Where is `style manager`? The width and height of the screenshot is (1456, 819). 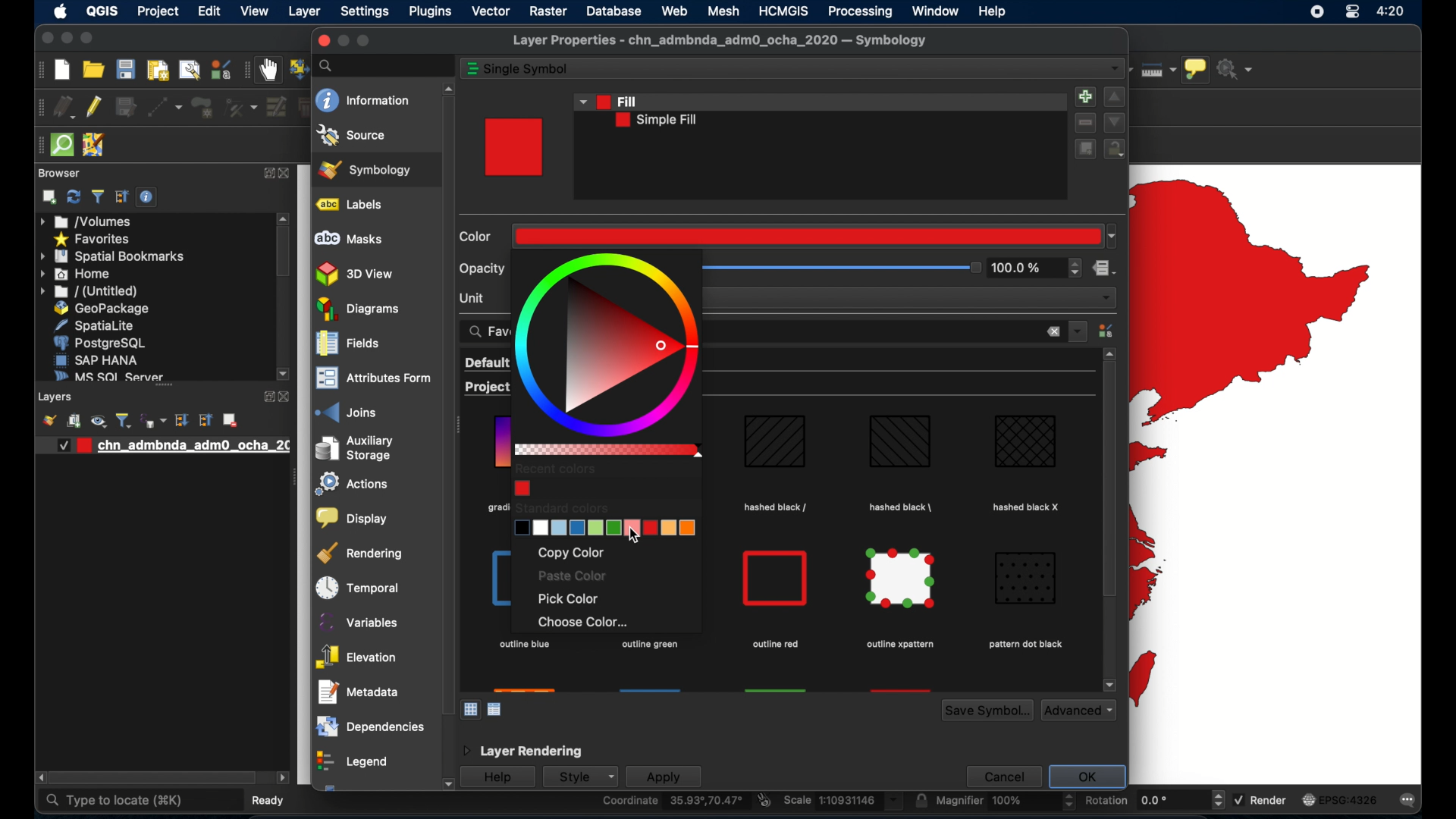
style manager is located at coordinates (1108, 331).